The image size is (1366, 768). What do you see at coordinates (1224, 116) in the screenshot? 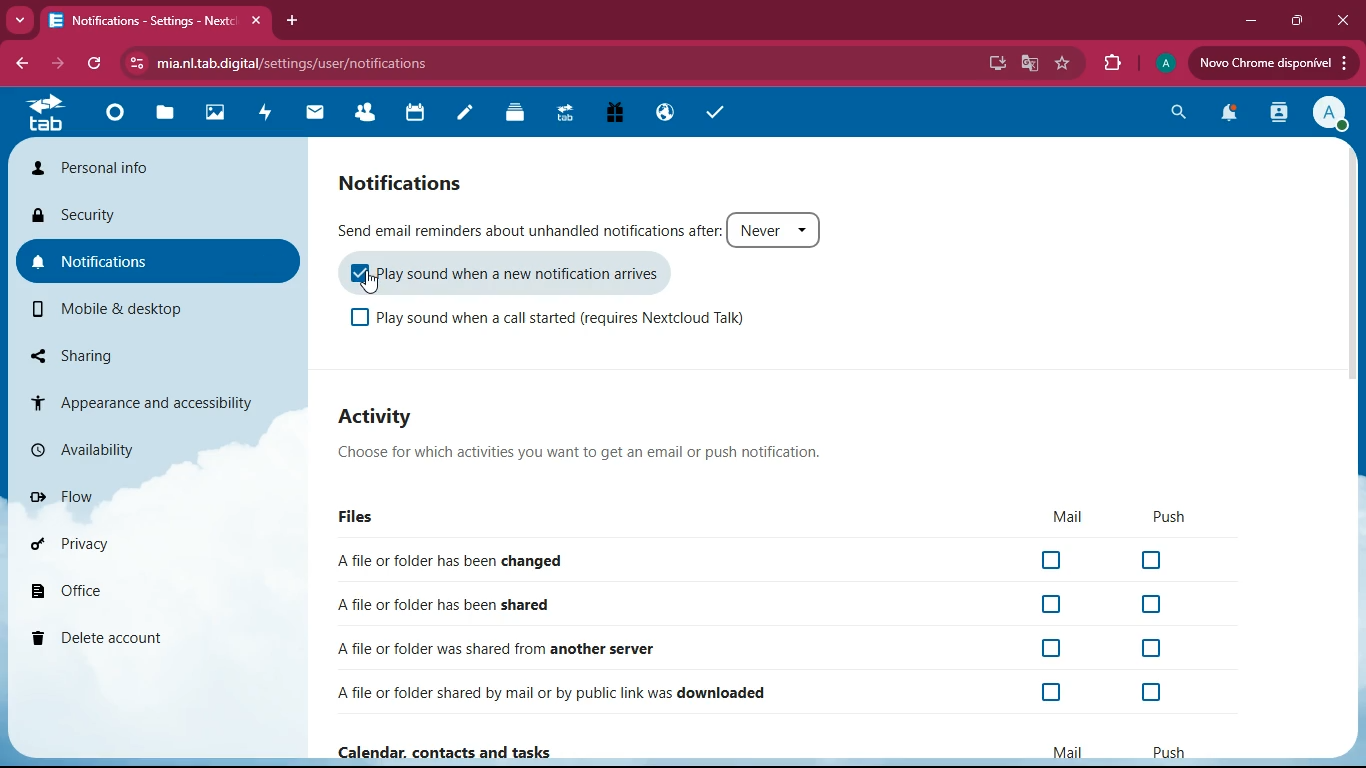
I see `notifications` at bounding box center [1224, 116].